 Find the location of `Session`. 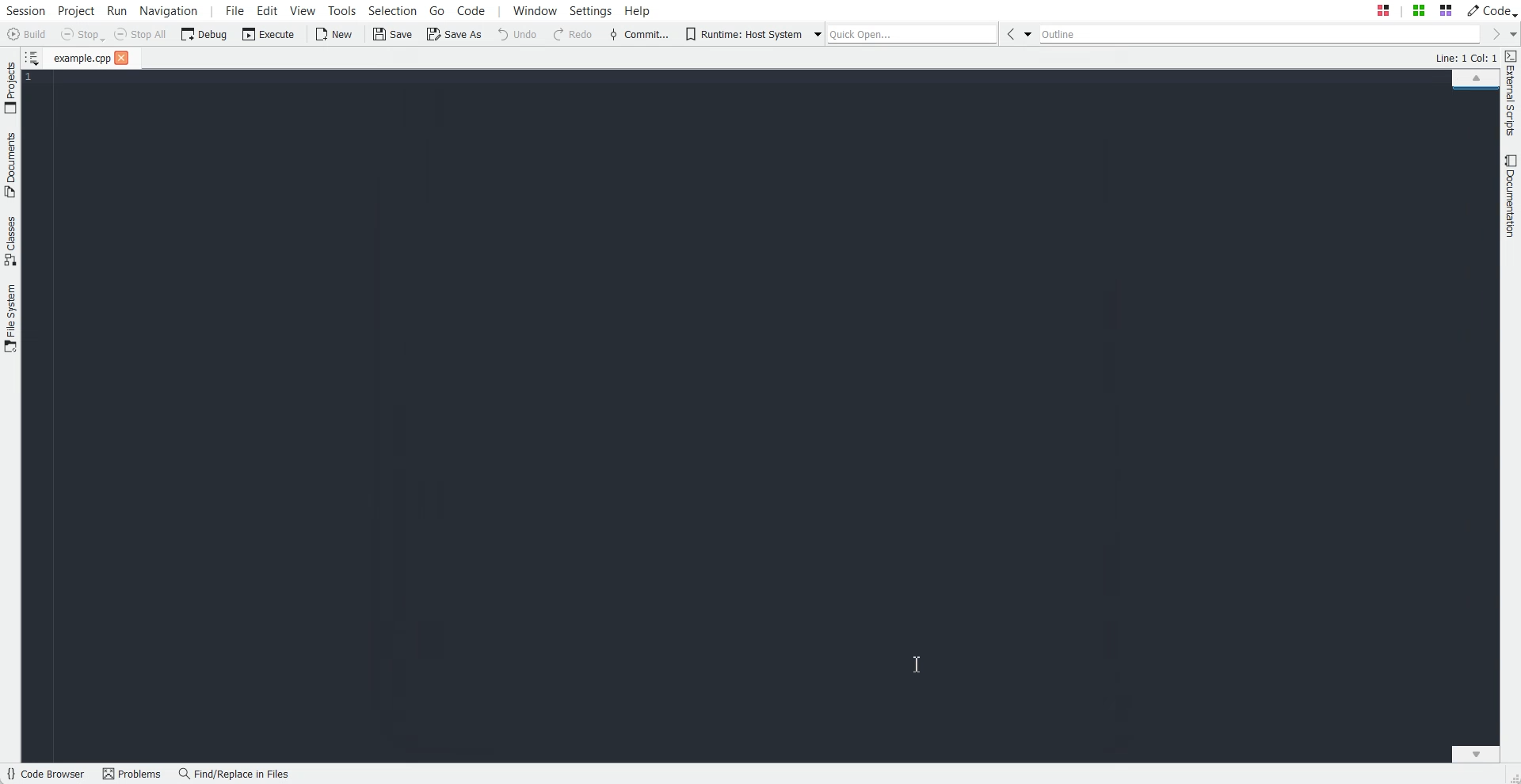

Session is located at coordinates (25, 10).